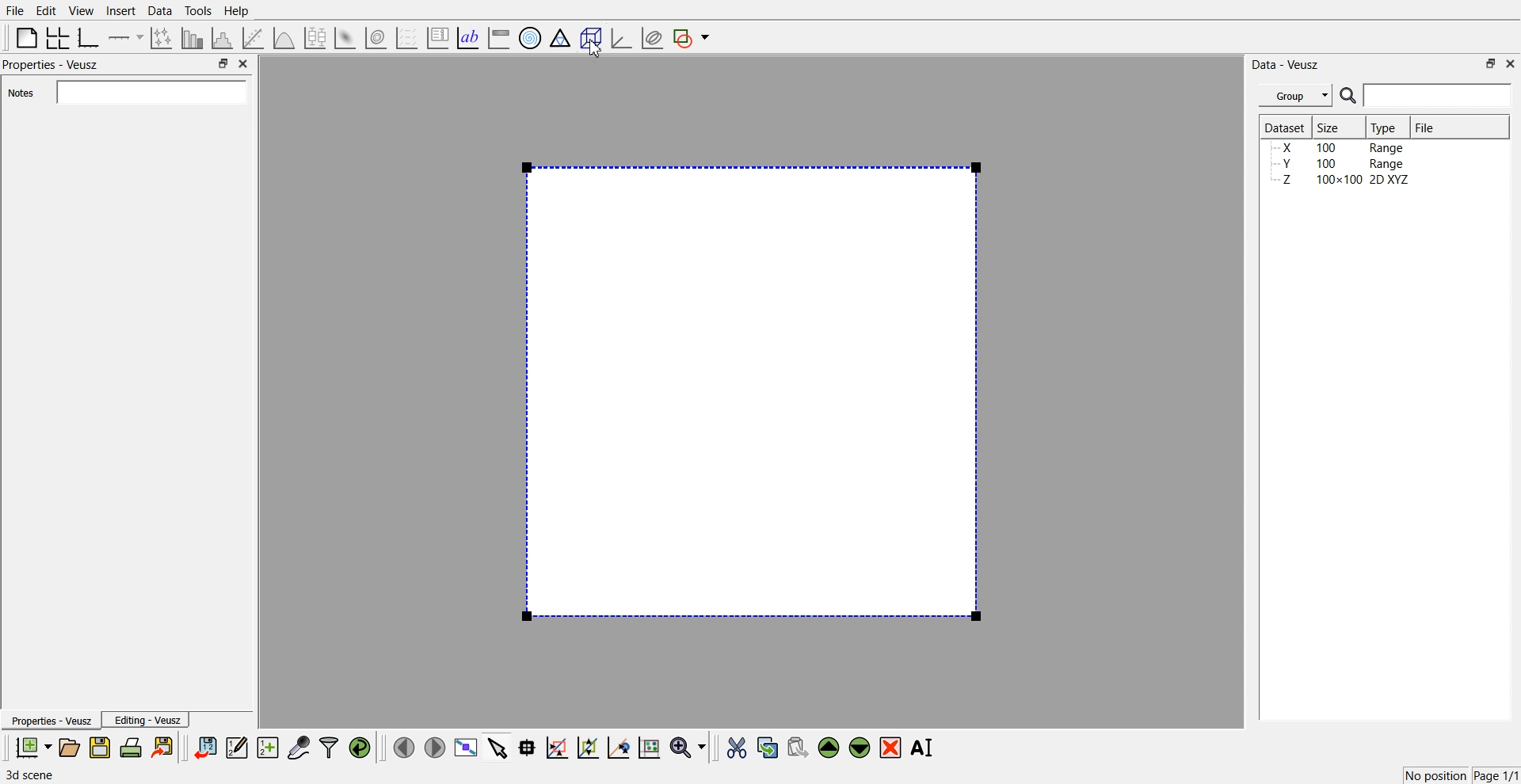  What do you see at coordinates (32, 747) in the screenshot?
I see `New document` at bounding box center [32, 747].